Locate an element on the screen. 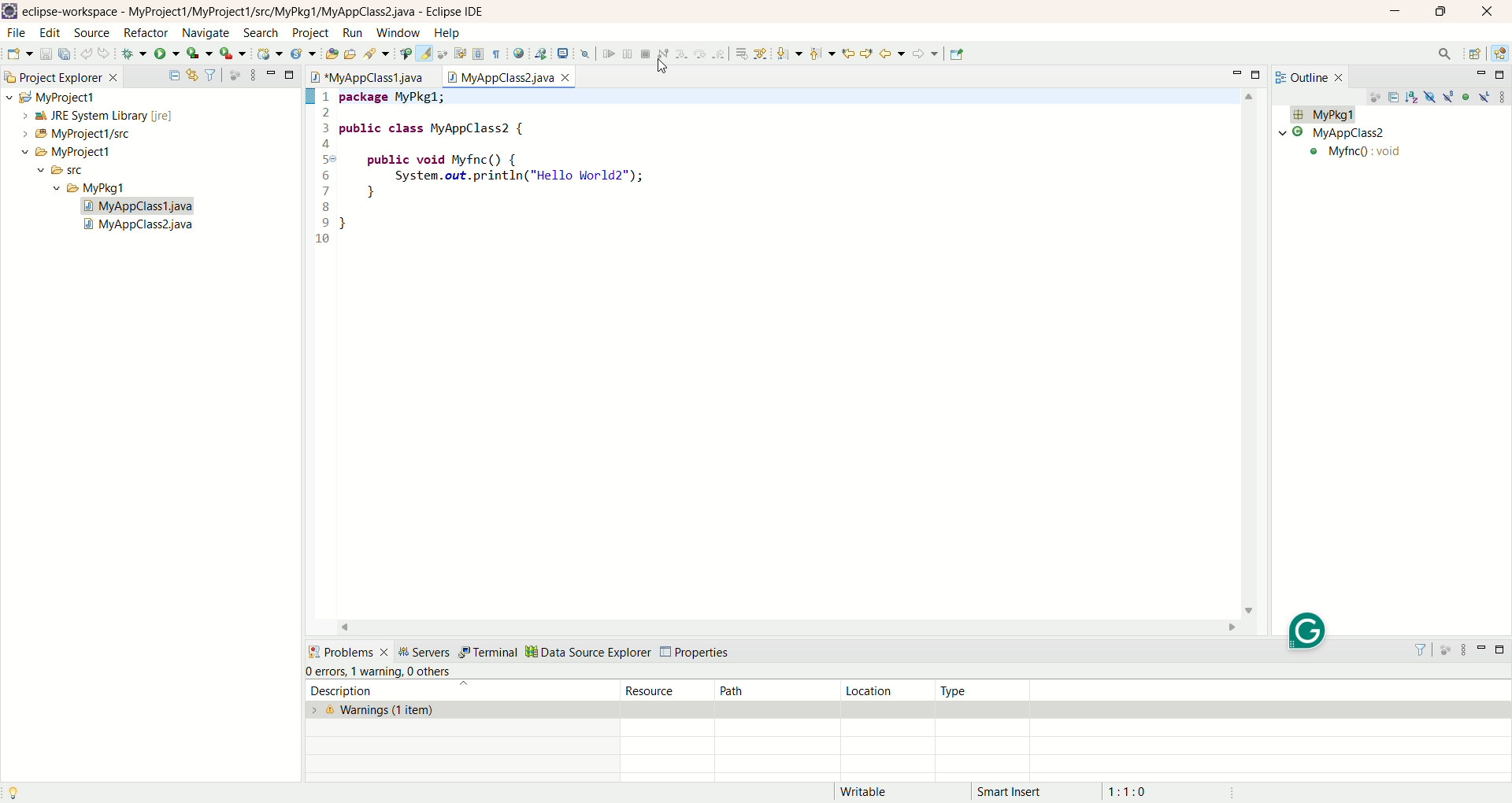 Image resolution: width=1512 pixels, height=803 pixels. project1 is located at coordinates (57, 152).